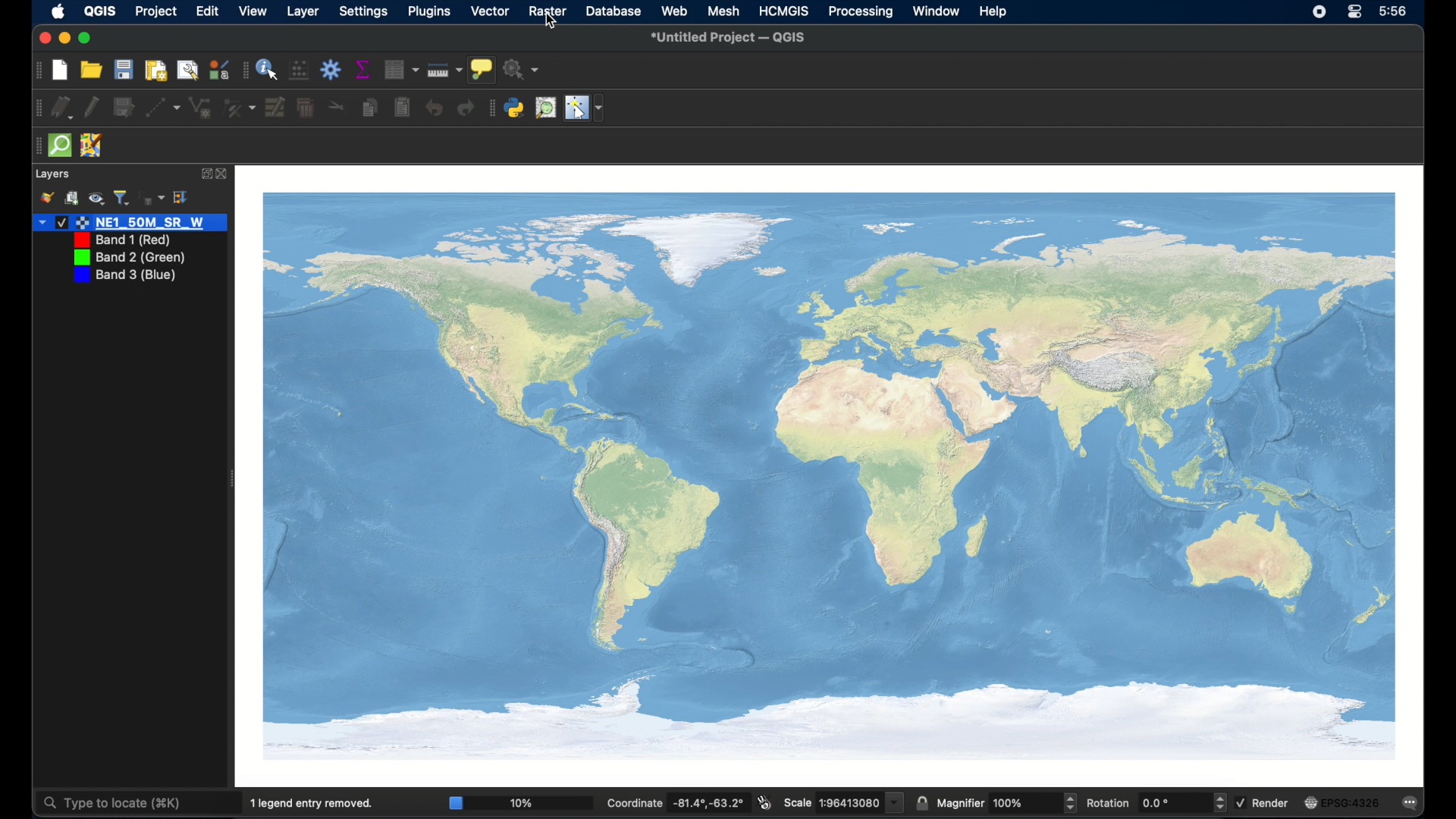 The image size is (1456, 819). What do you see at coordinates (921, 804) in the screenshot?
I see `lock scale` at bounding box center [921, 804].